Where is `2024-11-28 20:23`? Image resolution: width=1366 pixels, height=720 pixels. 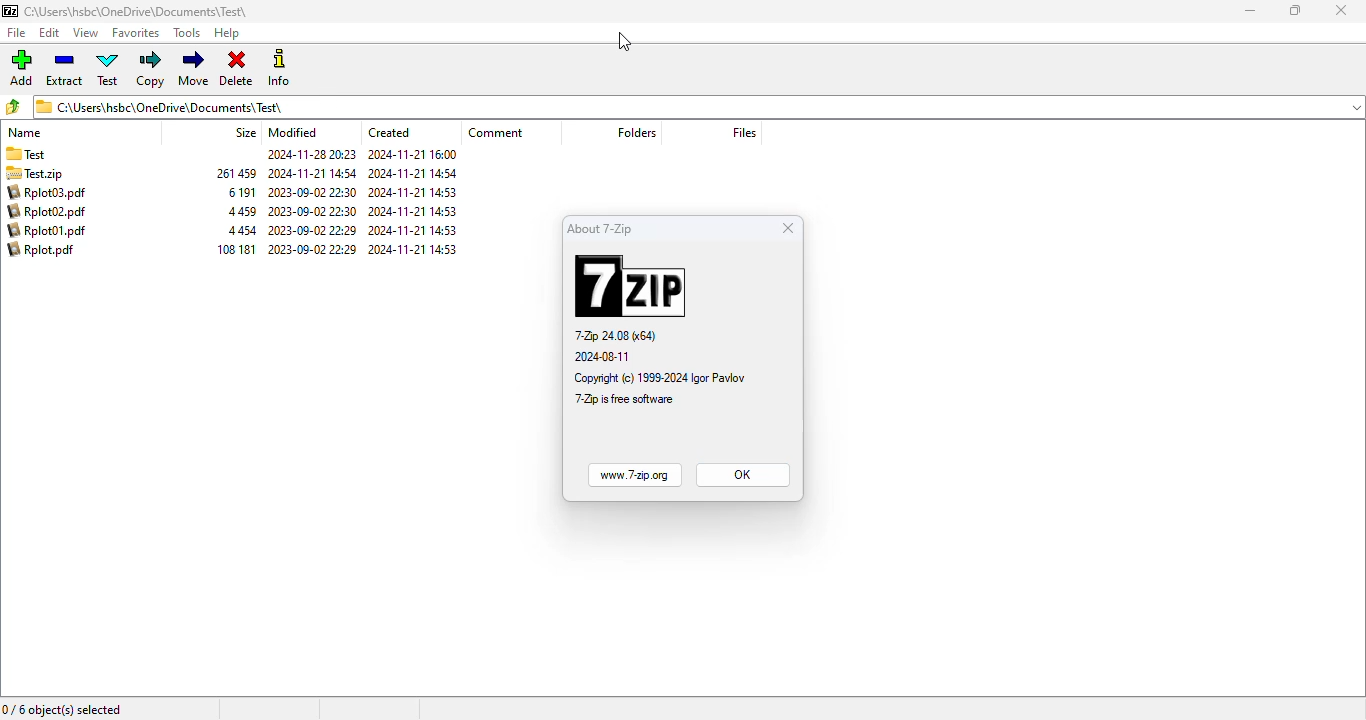 2024-11-28 20:23 is located at coordinates (308, 156).